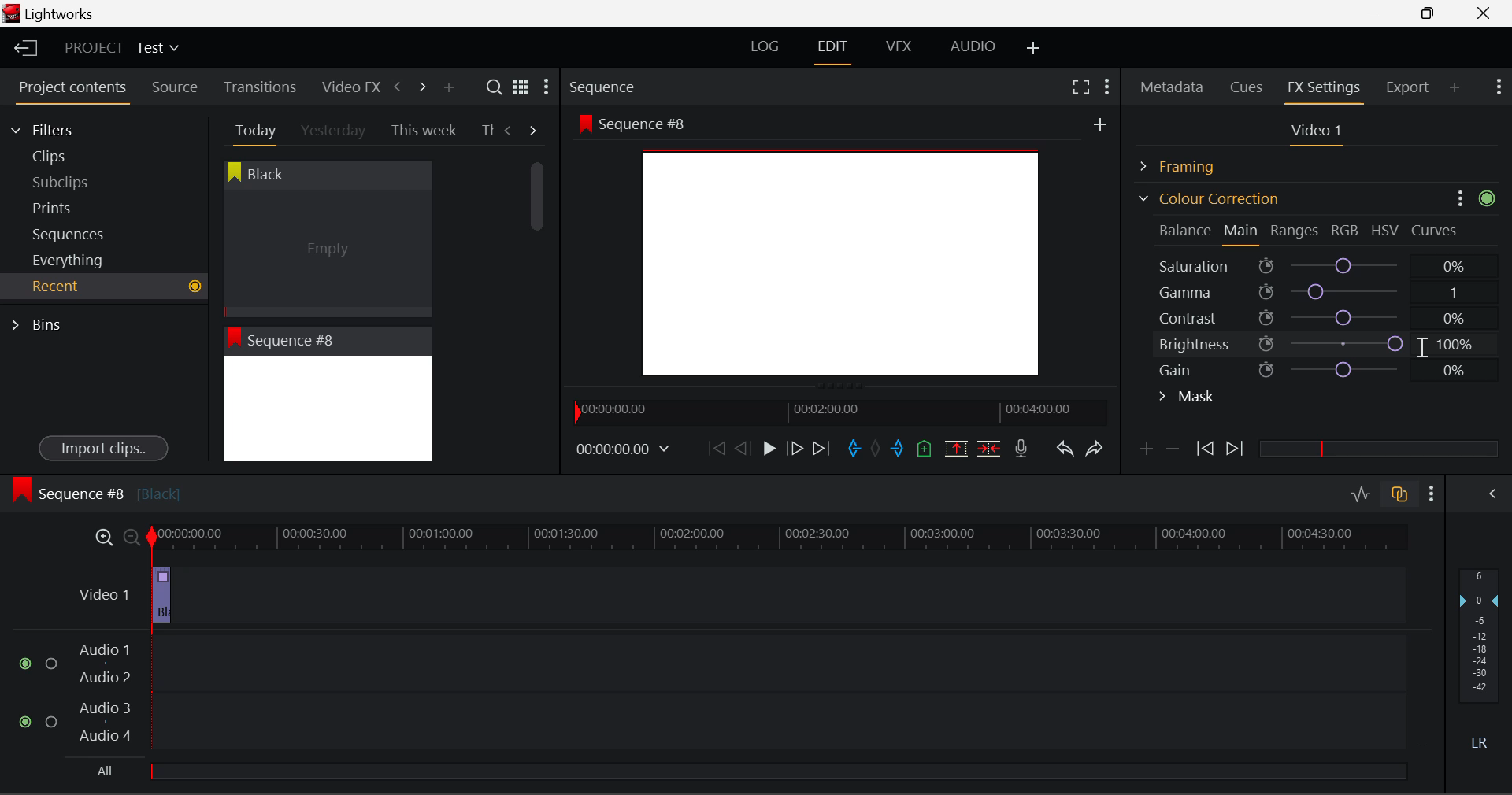 This screenshot has width=1512, height=795. Describe the element at coordinates (1248, 85) in the screenshot. I see `Cues Panel` at that location.